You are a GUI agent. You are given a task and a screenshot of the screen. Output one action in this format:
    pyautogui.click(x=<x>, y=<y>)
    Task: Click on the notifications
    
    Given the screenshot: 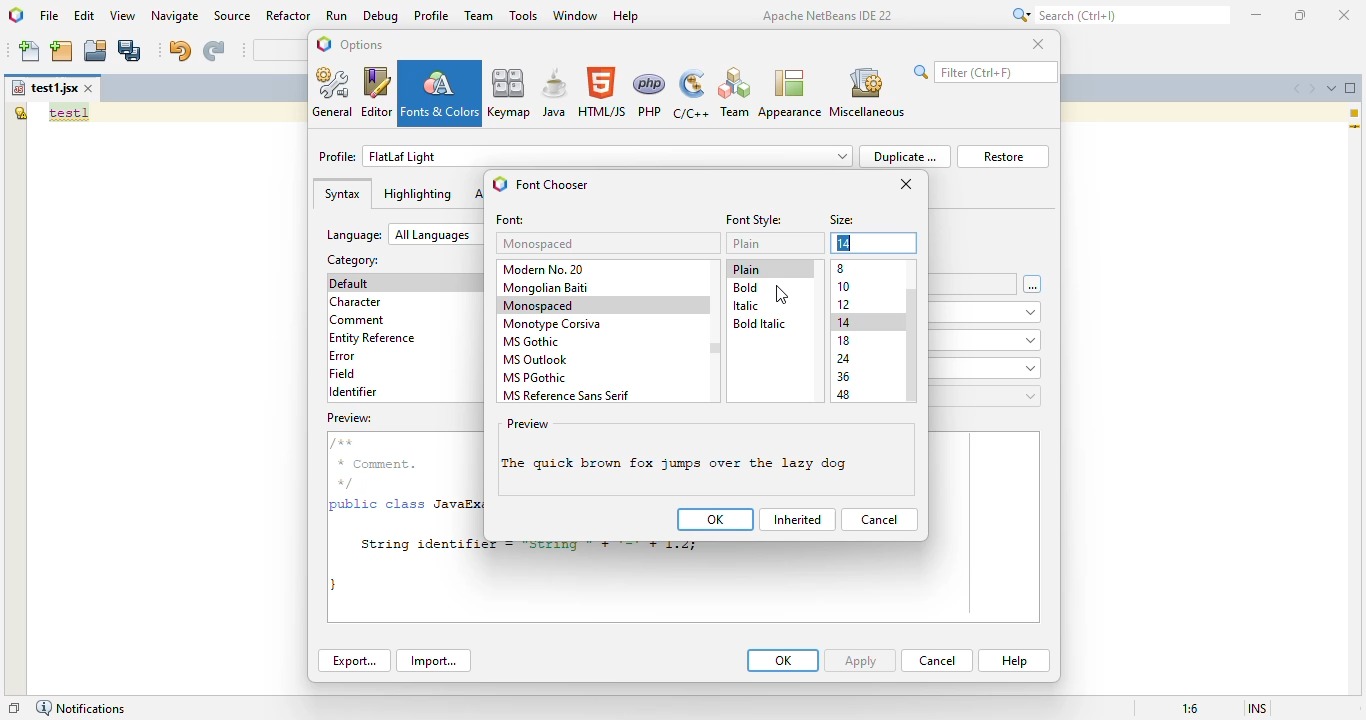 What is the action you would take?
    pyautogui.click(x=80, y=708)
    